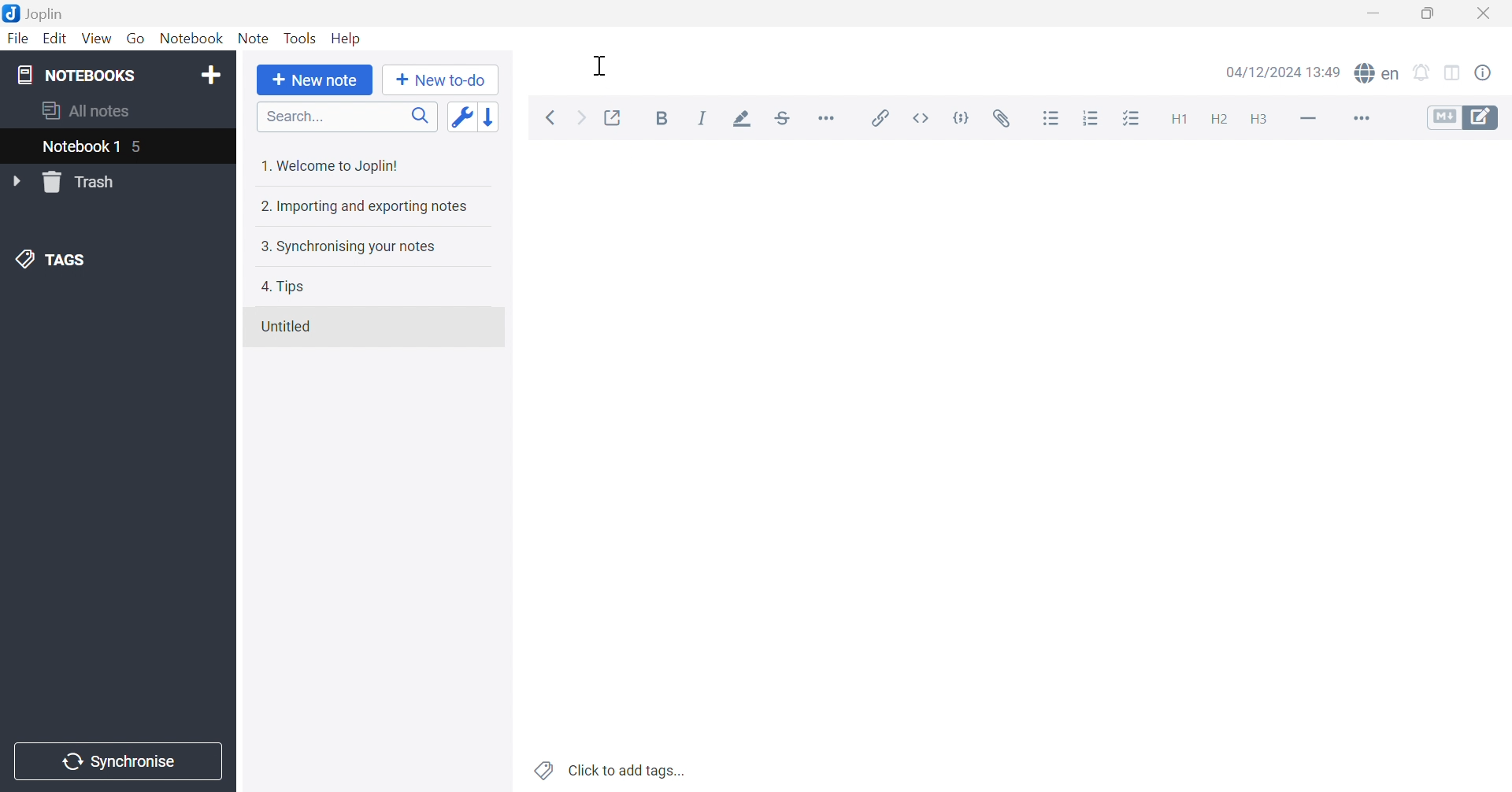  I want to click on View, so click(97, 37).